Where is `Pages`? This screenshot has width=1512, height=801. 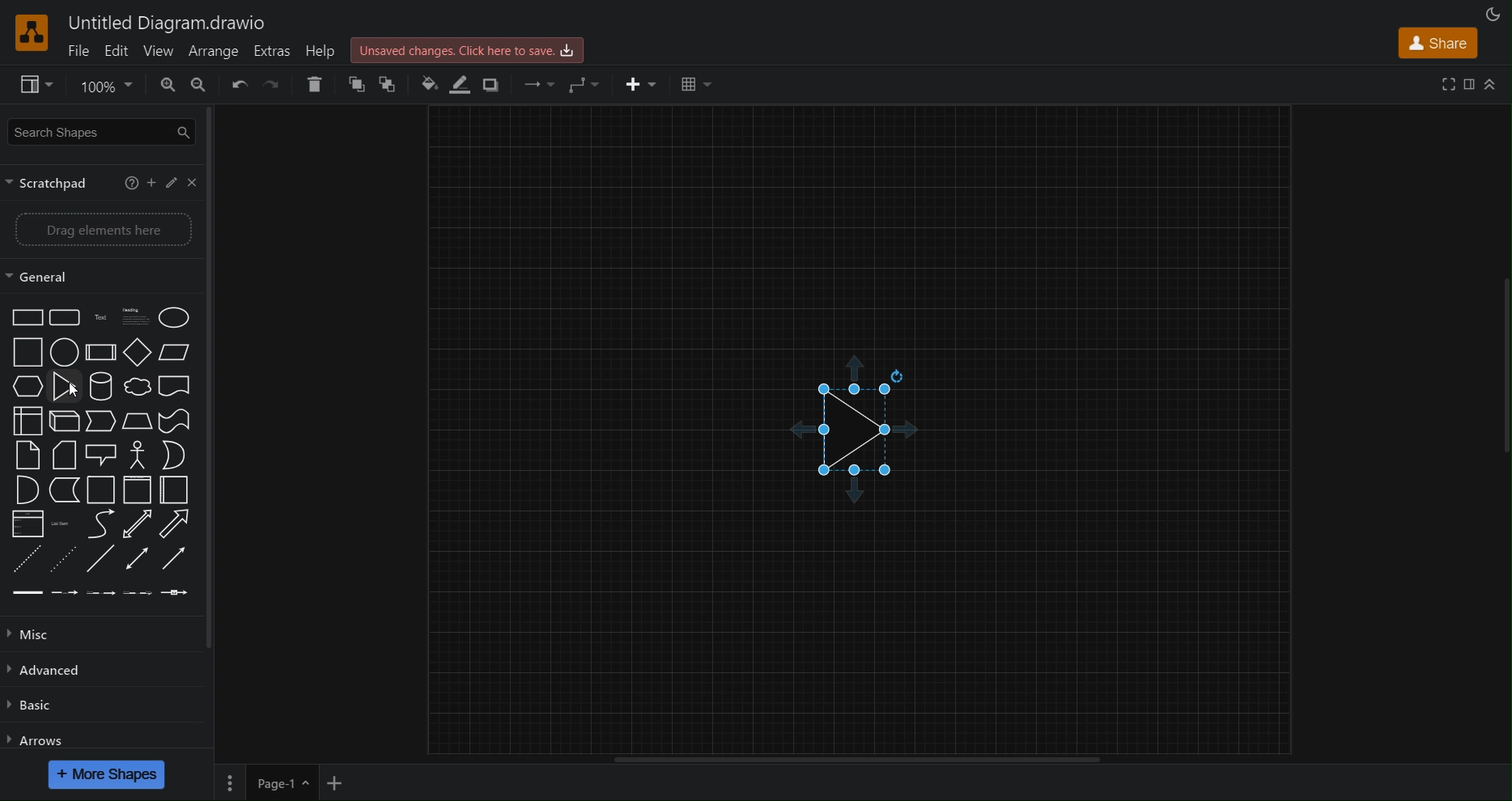
Pages is located at coordinates (227, 782).